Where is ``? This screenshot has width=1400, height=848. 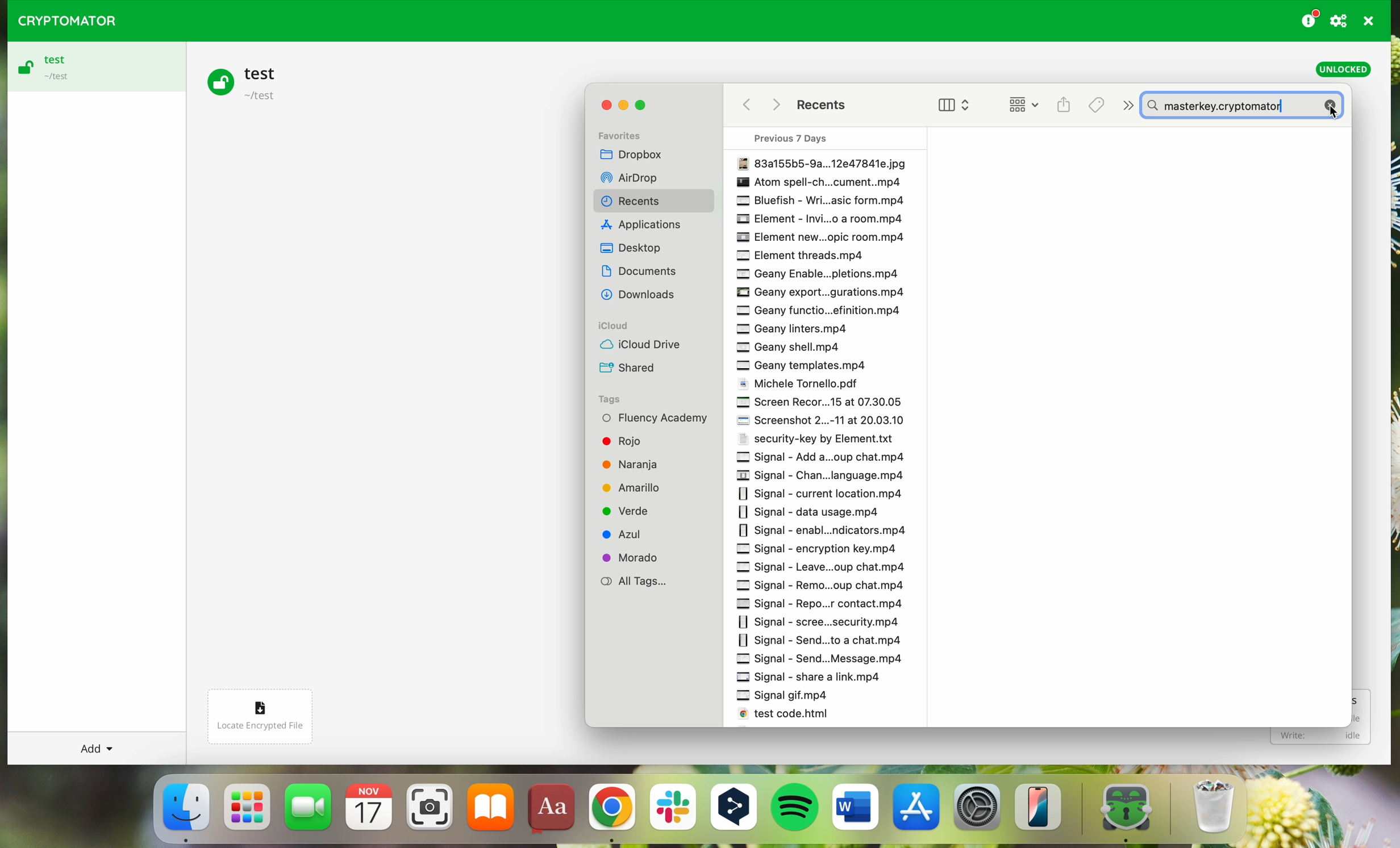
 is located at coordinates (643, 296).